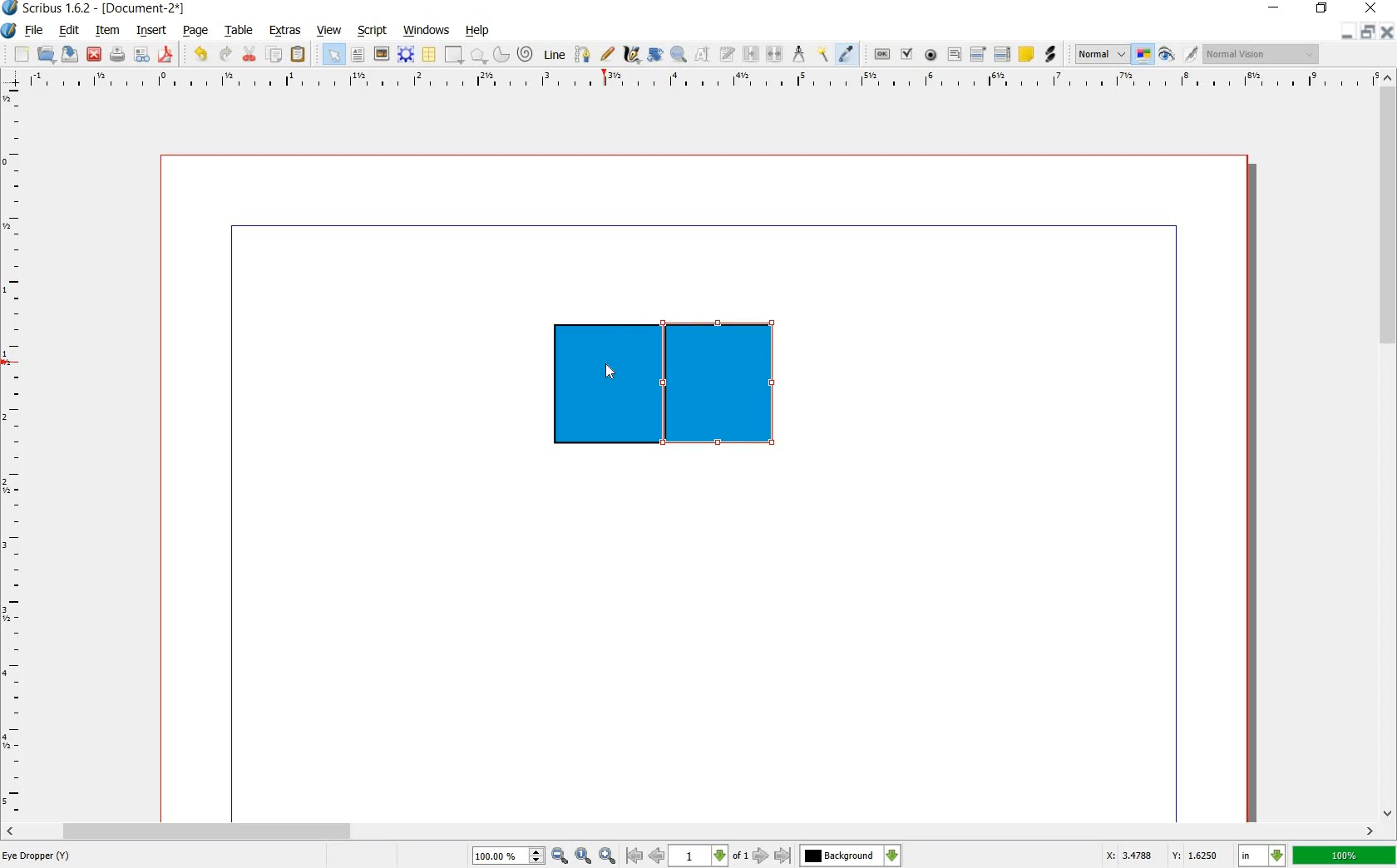 The image size is (1397, 868). What do you see at coordinates (242, 30) in the screenshot?
I see `table` at bounding box center [242, 30].